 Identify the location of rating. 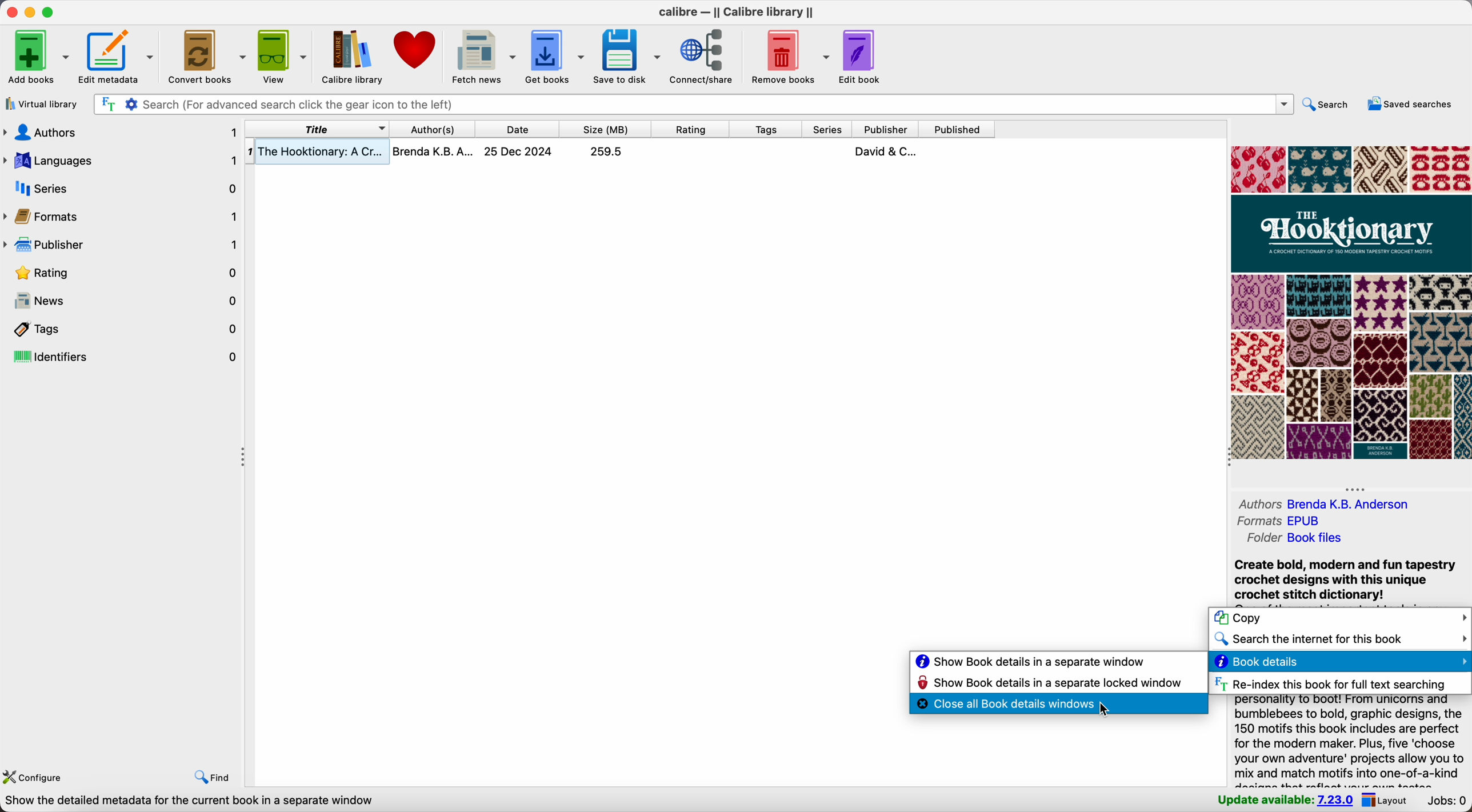
(690, 128).